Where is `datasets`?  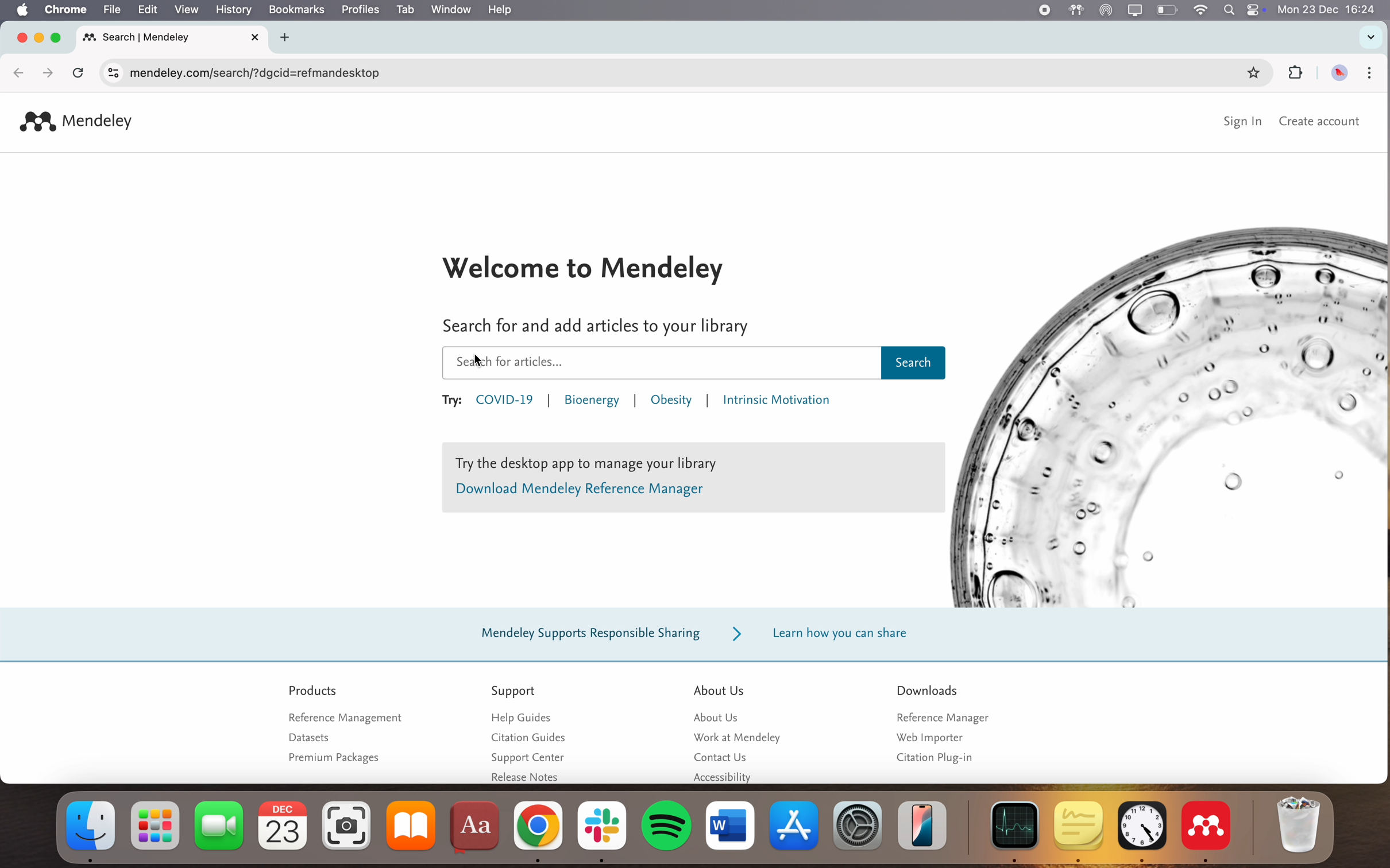 datasets is located at coordinates (308, 738).